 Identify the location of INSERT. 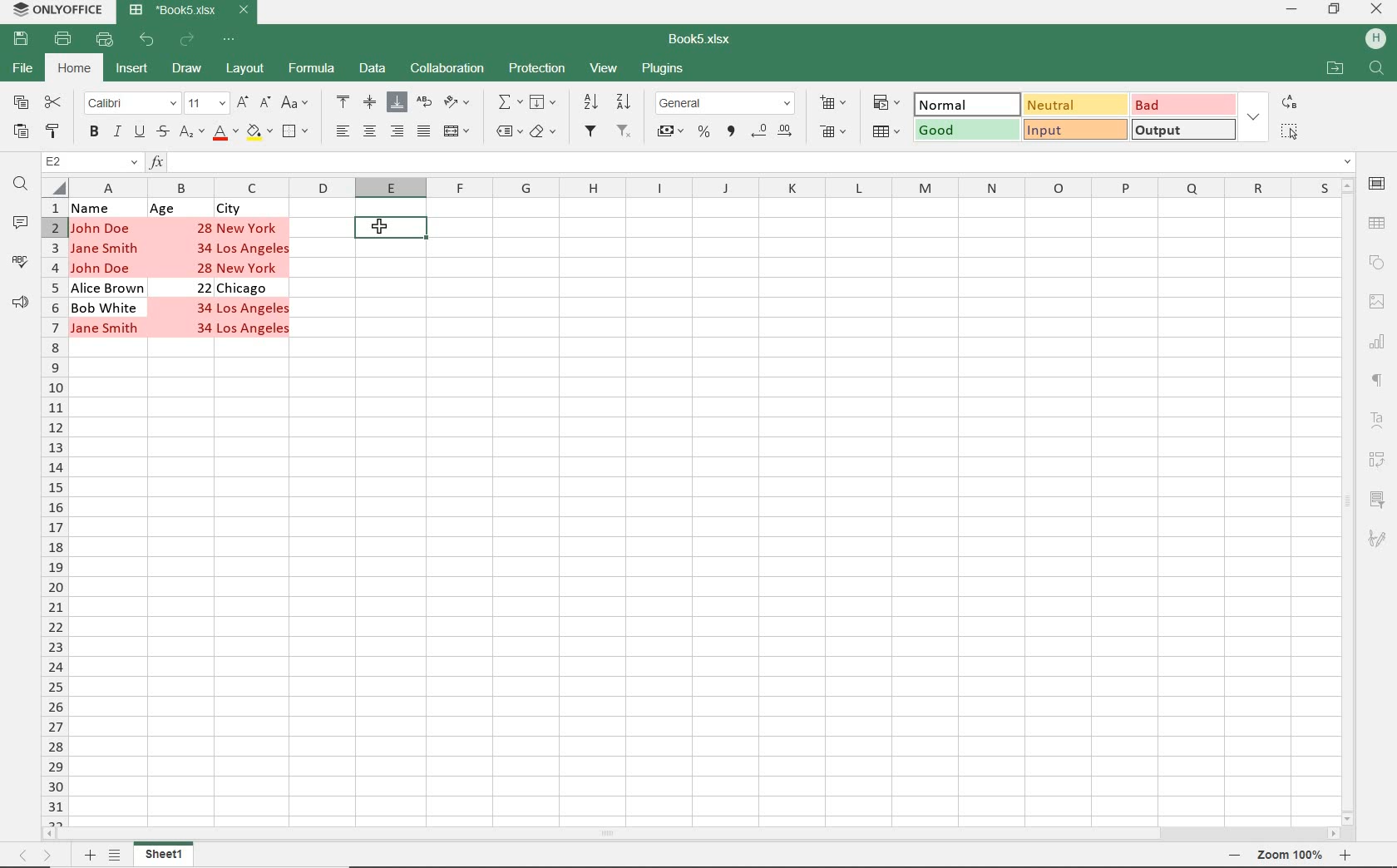
(132, 71).